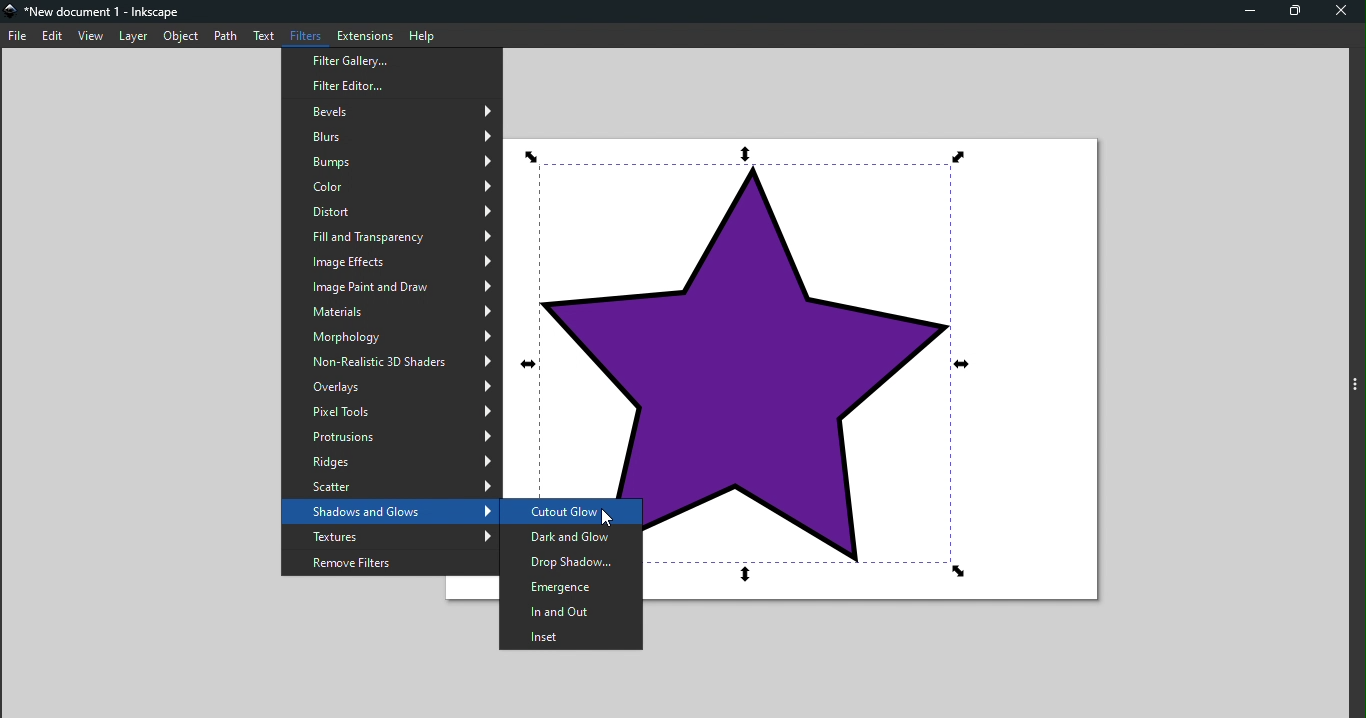 The width and height of the screenshot is (1366, 718). Describe the element at coordinates (392, 337) in the screenshot. I see `Morphology` at that location.